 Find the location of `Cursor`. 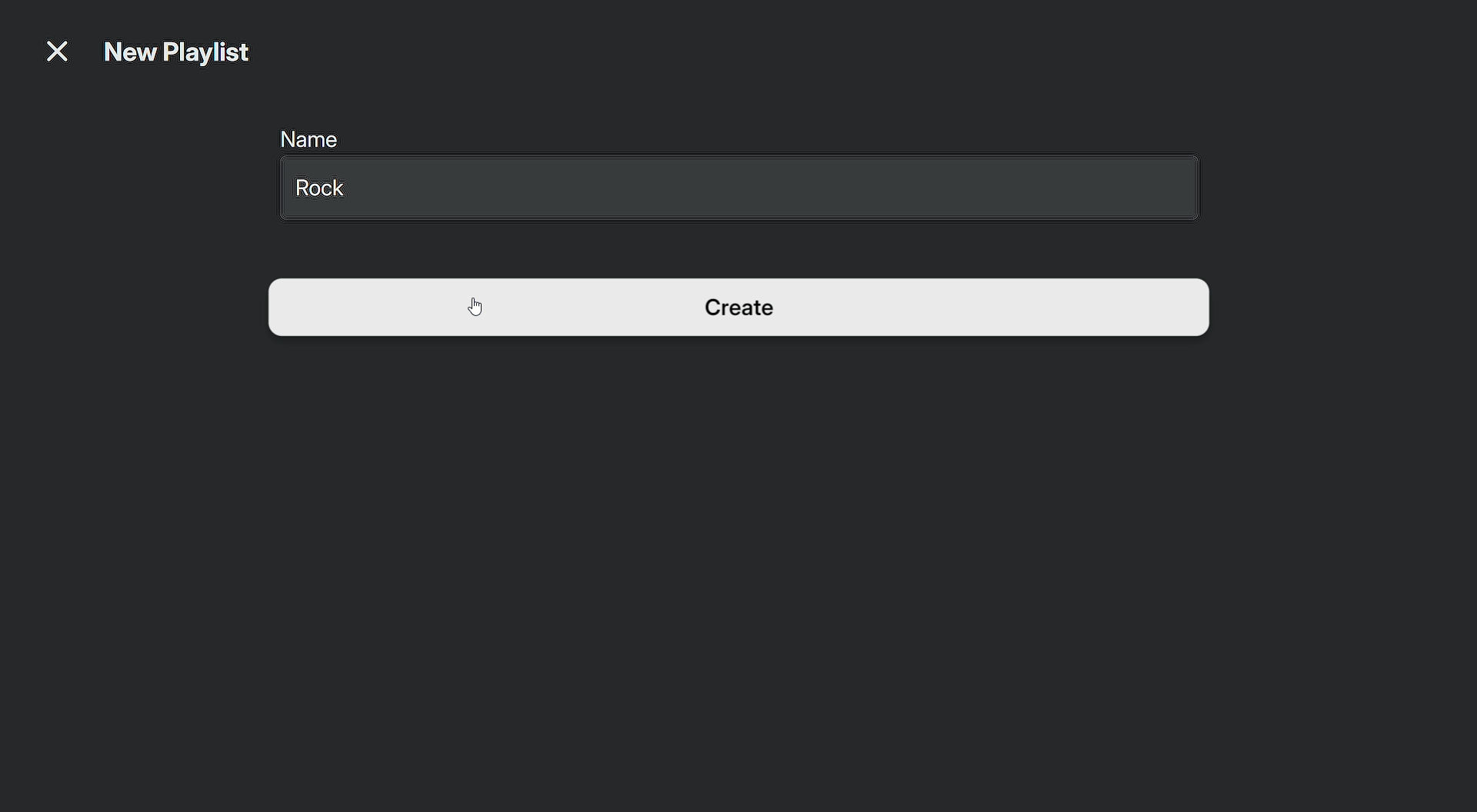

Cursor is located at coordinates (476, 304).